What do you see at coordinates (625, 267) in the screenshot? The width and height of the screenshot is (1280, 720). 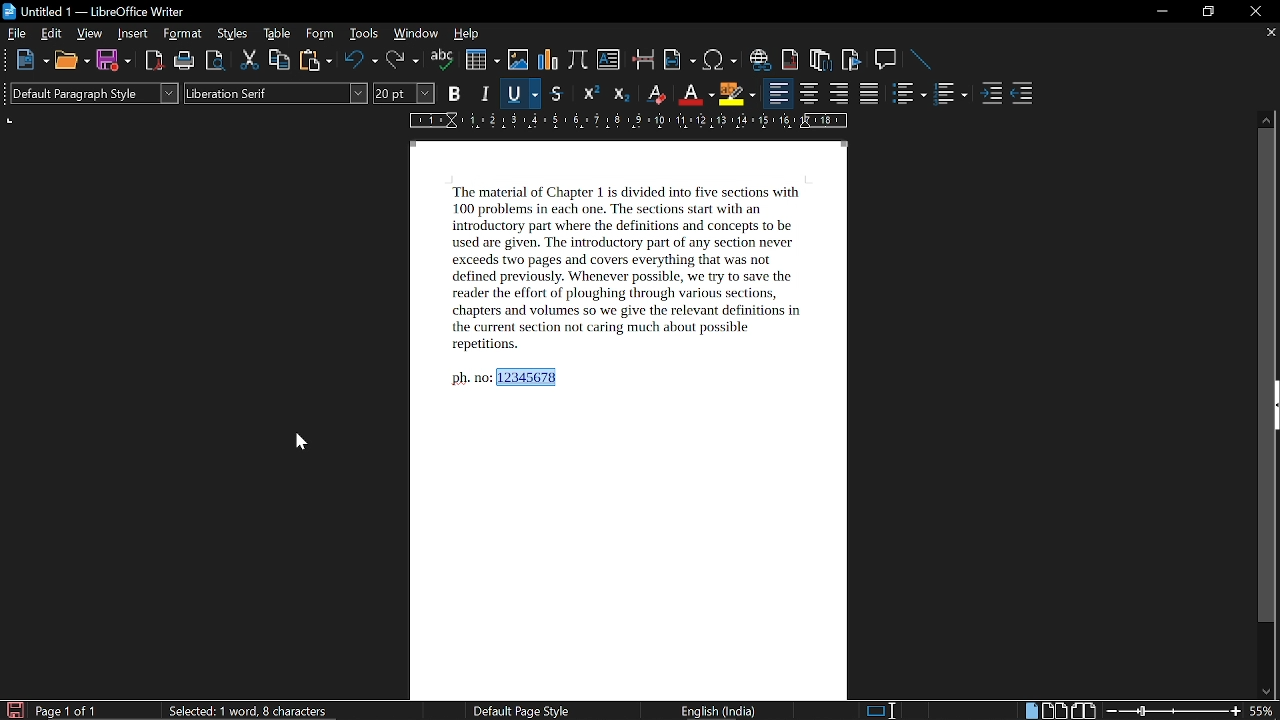 I see `‘The material of Chapter 1 is divided into five sections with
100 problems in each one. The sections start with an
introductory part where the definitions and concepts to be
used are given. The introductory part of any section never
exceeds two pages and covers everything that was not
defined previously. Whenever possible, we try to save the
reader the effort of ploughing through various sections,
chapters and volumes 50 we give the relevant definitions in
the current section not caring much about possible
repetitions.` at bounding box center [625, 267].